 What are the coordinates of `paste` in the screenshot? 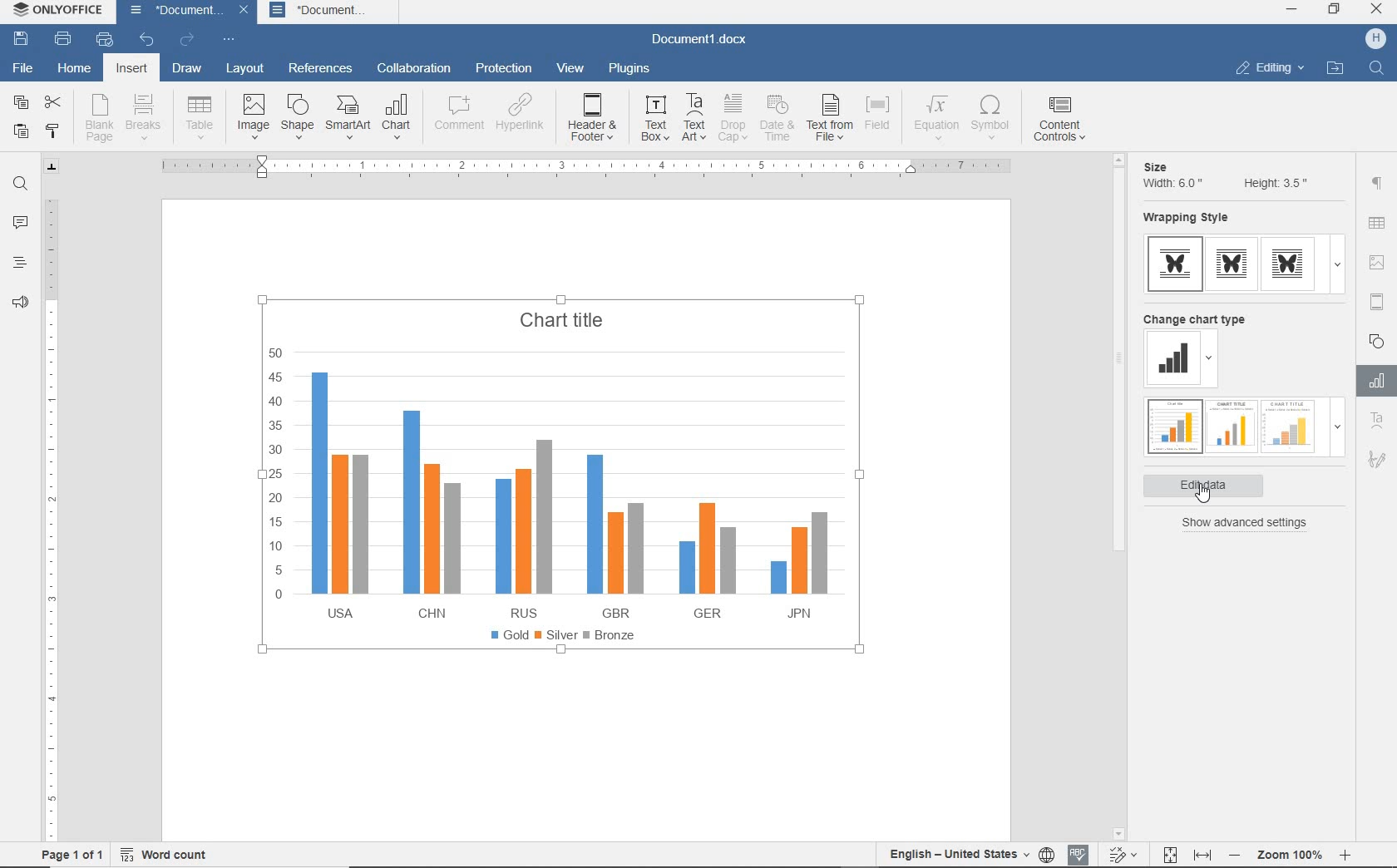 It's located at (21, 133).